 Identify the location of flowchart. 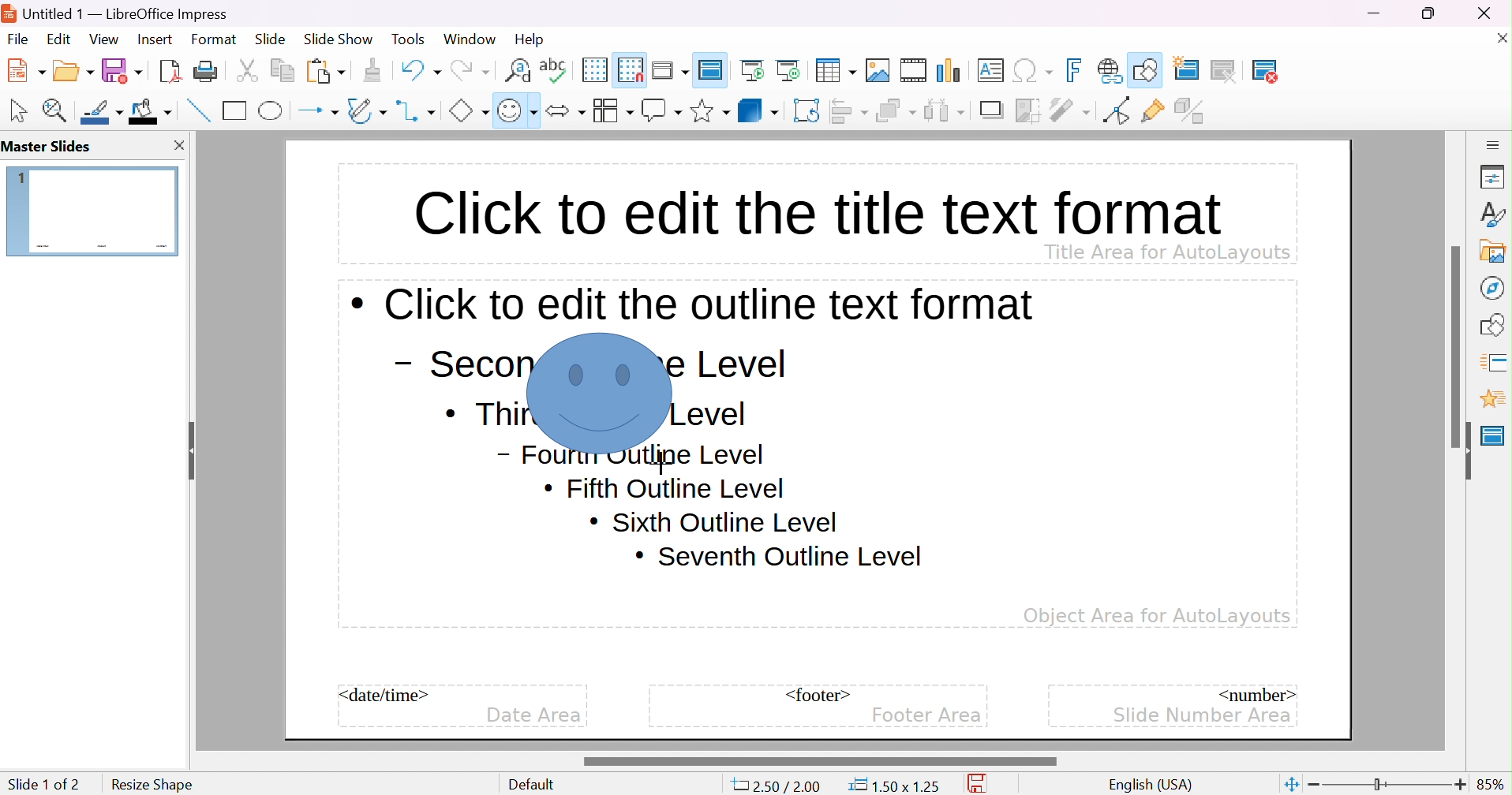
(612, 110).